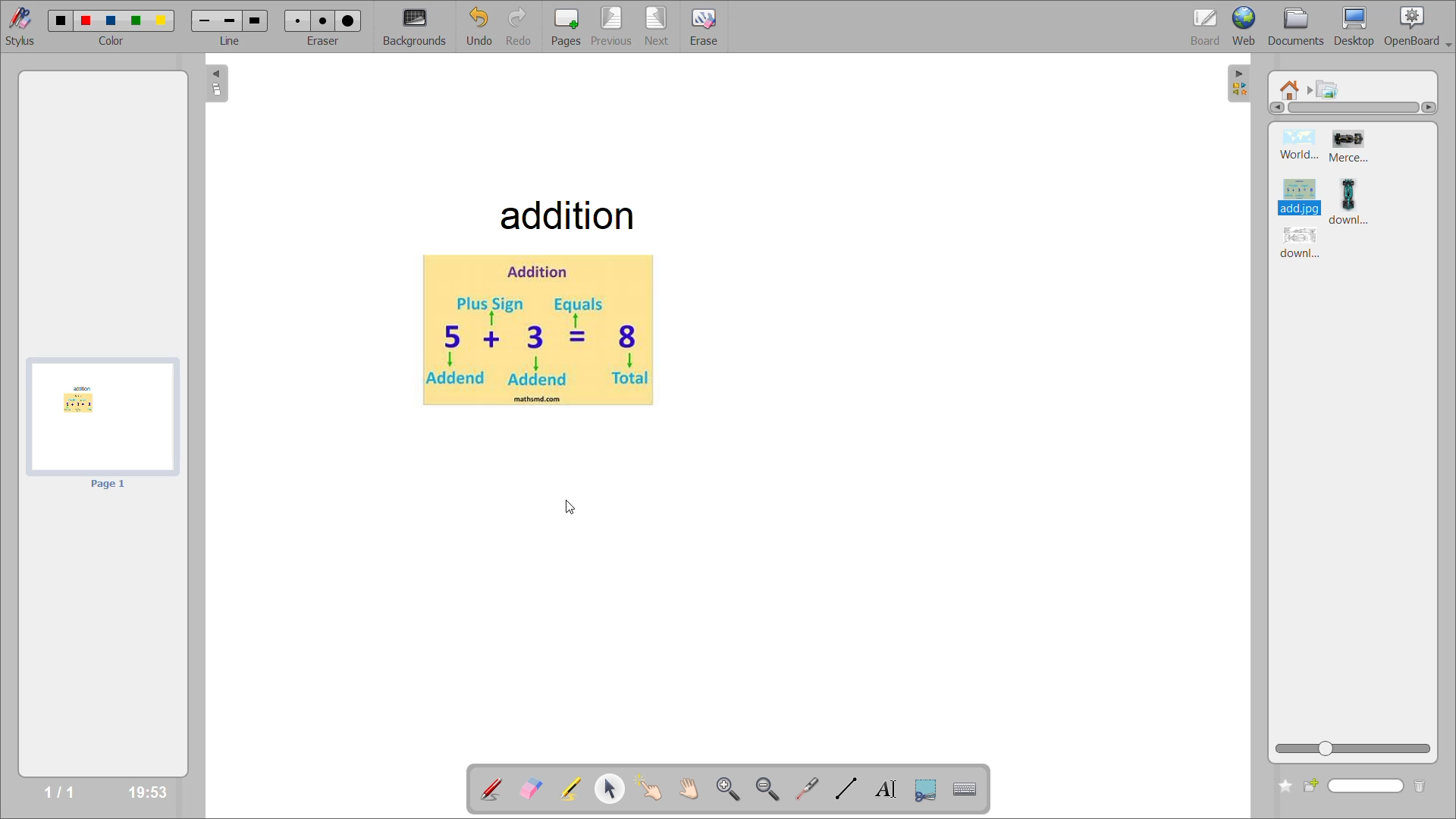 This screenshot has height=819, width=1456. I want to click on desktop, so click(1359, 27).